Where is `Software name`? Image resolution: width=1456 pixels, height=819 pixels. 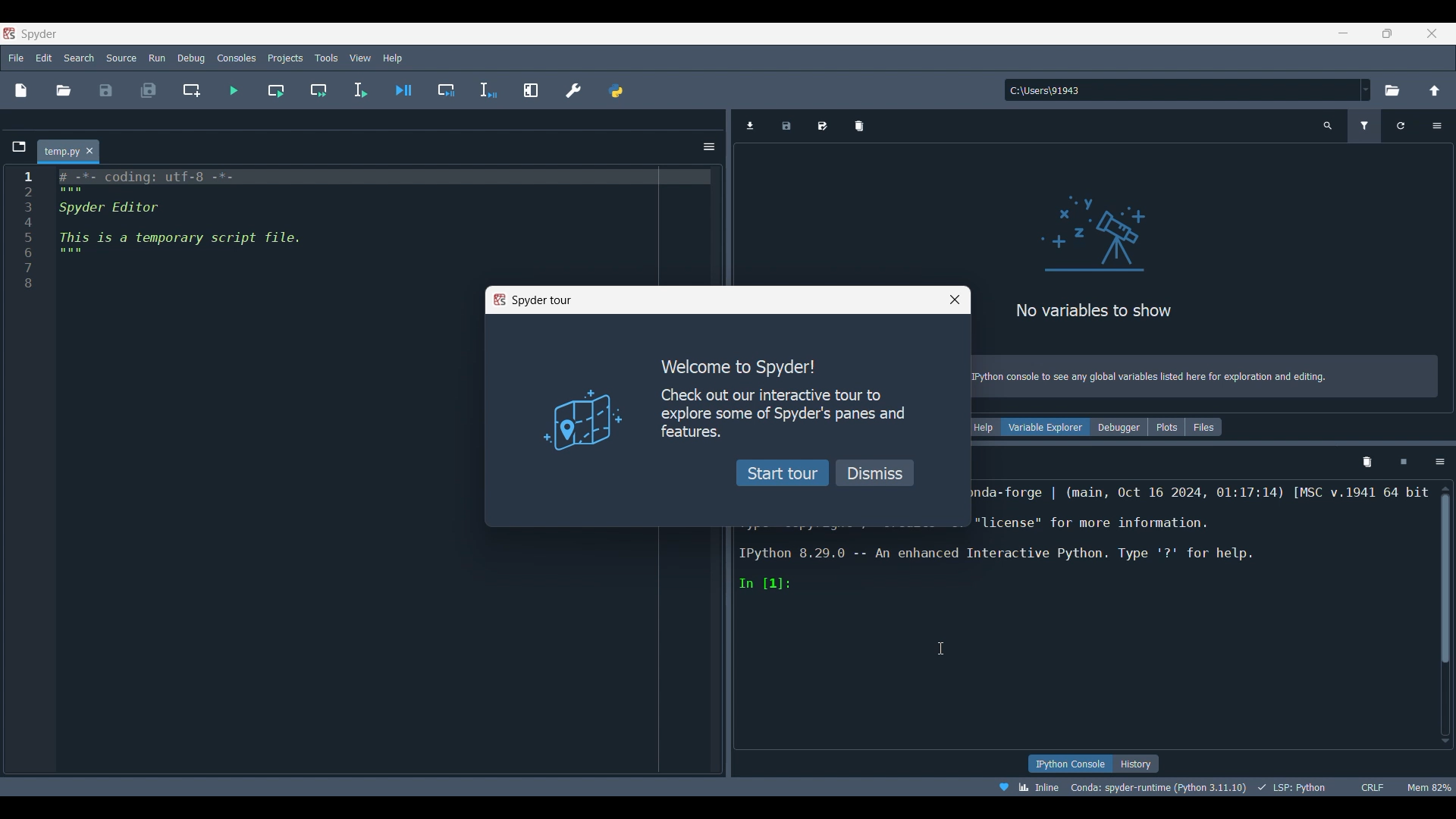
Software name is located at coordinates (39, 35).